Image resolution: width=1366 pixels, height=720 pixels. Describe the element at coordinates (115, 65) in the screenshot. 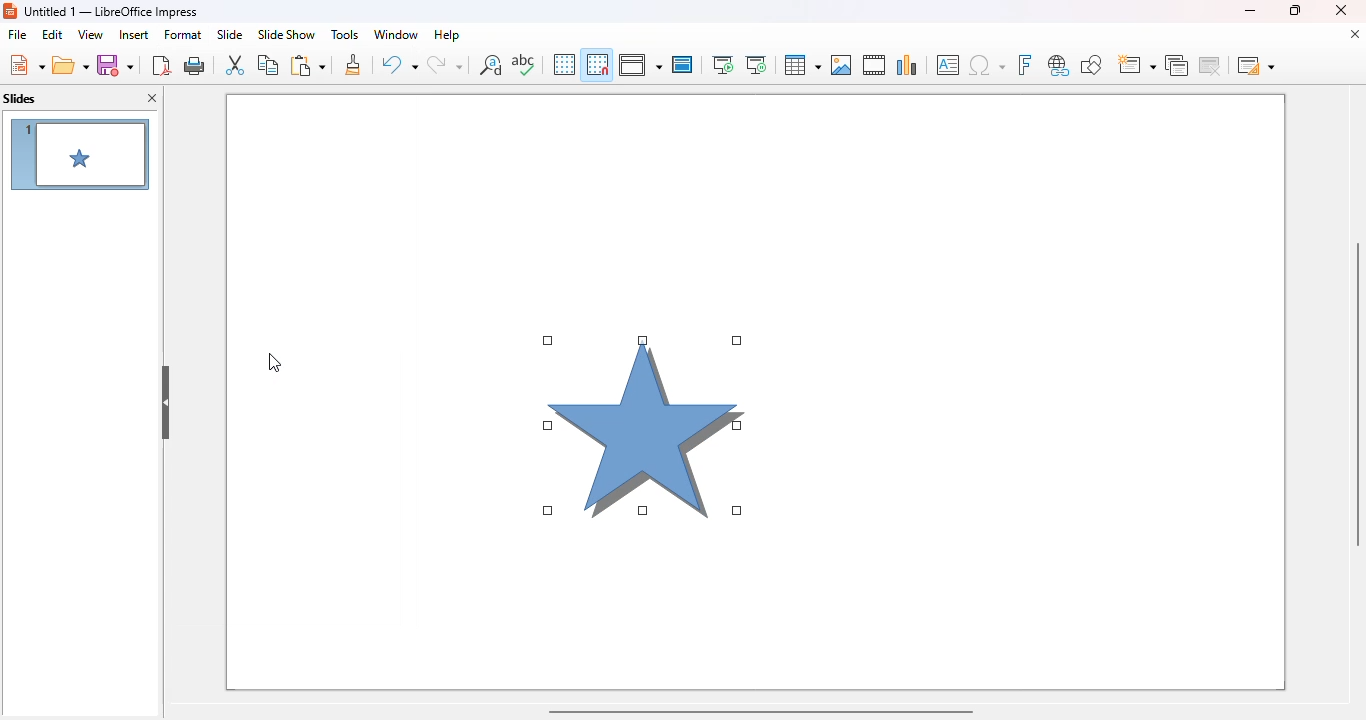

I see `save` at that location.